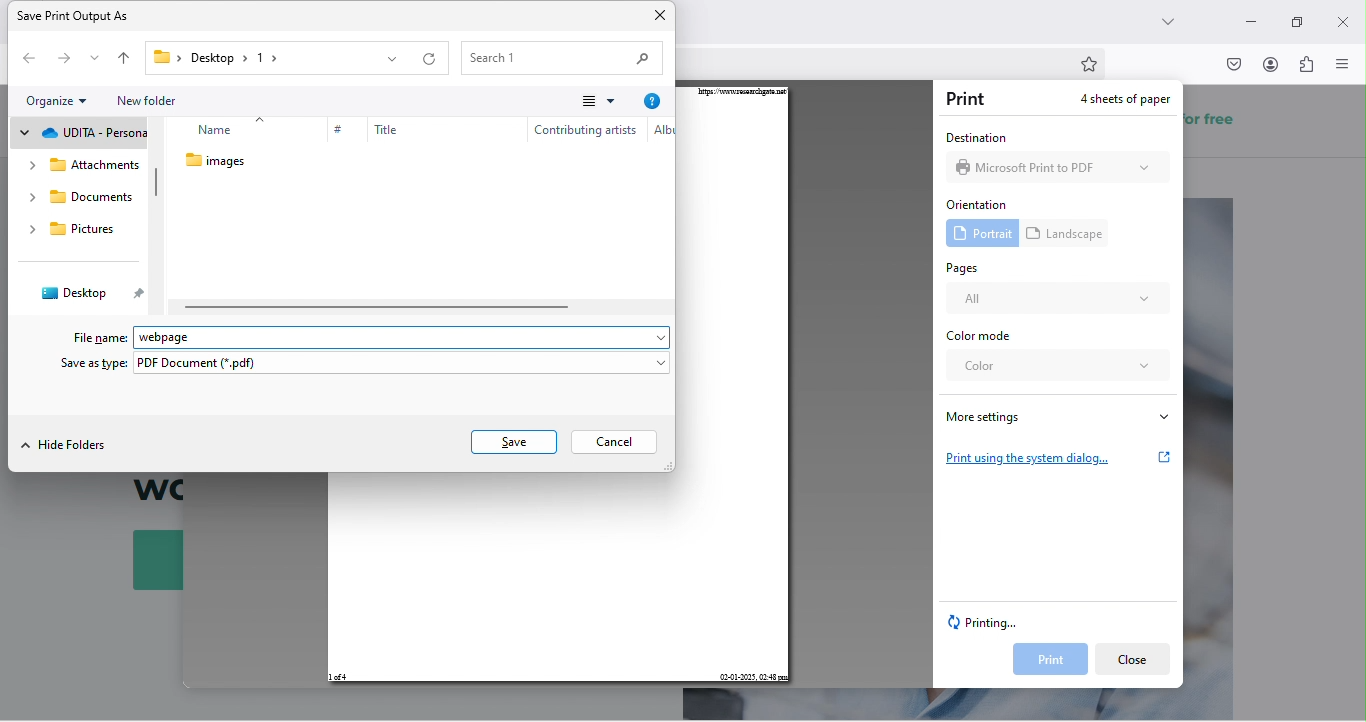 The width and height of the screenshot is (1366, 722). I want to click on close, so click(1133, 659).